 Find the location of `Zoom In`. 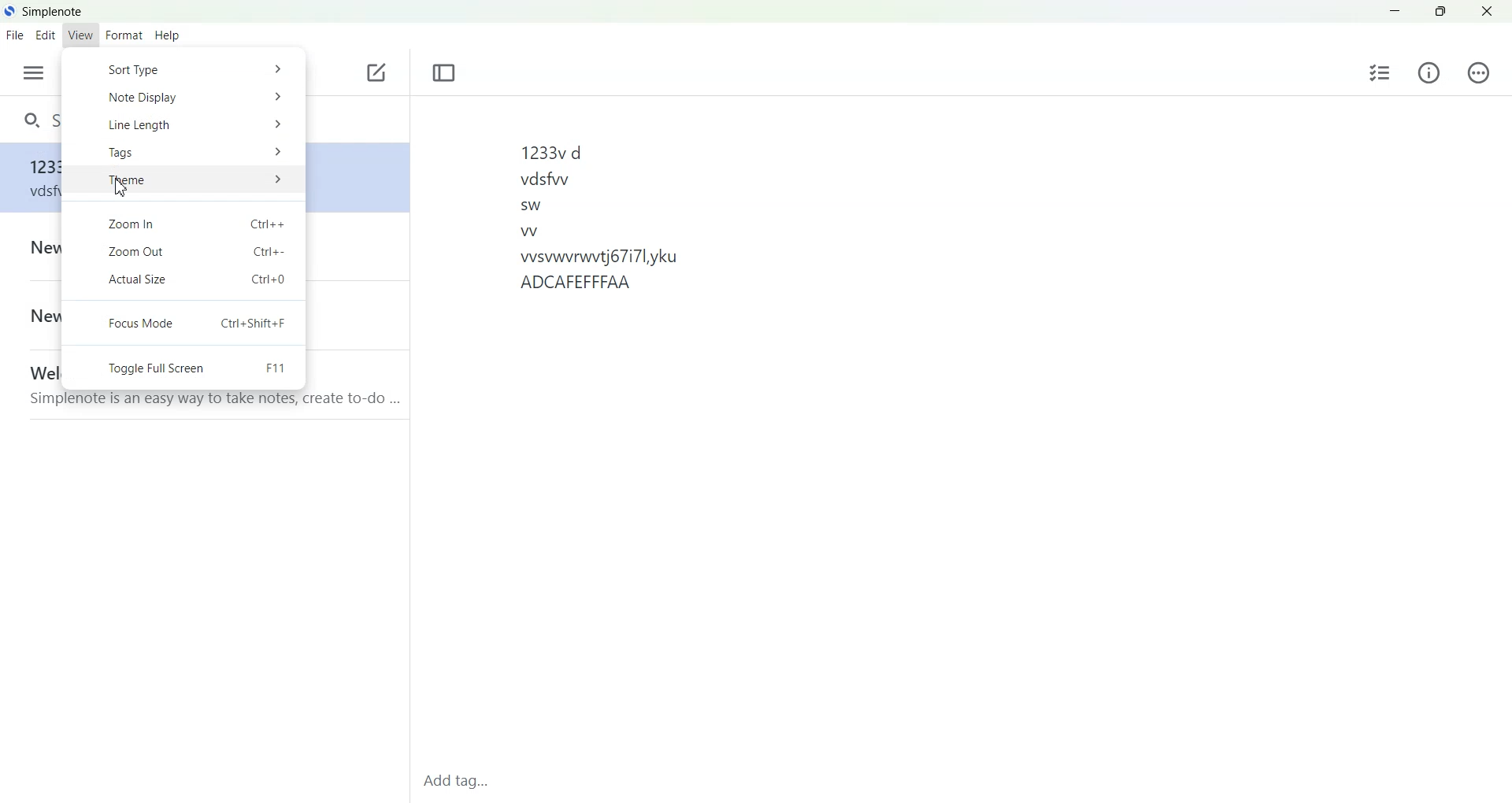

Zoom In is located at coordinates (183, 220).